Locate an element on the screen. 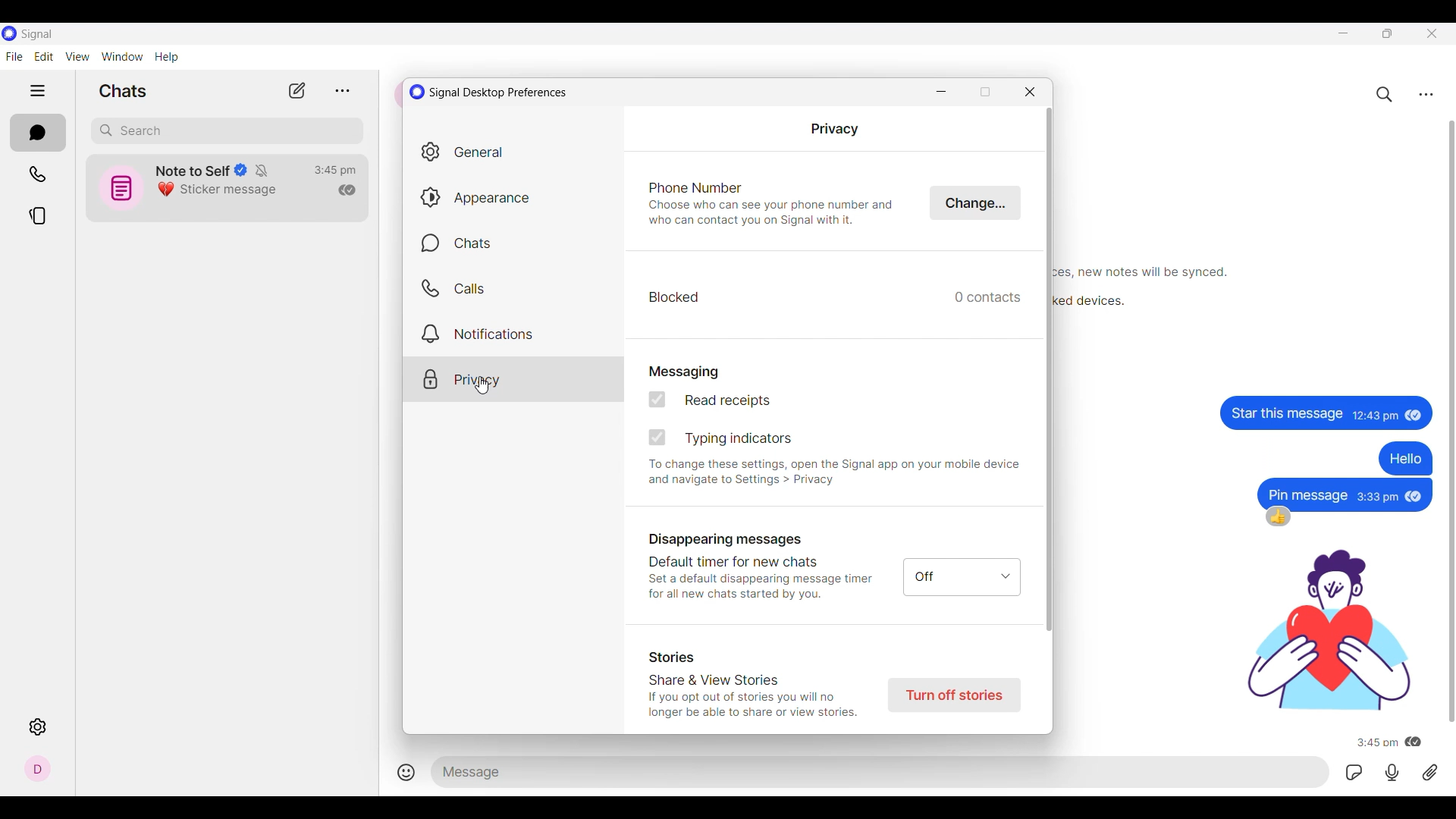  Chats settings is located at coordinates (514, 243).